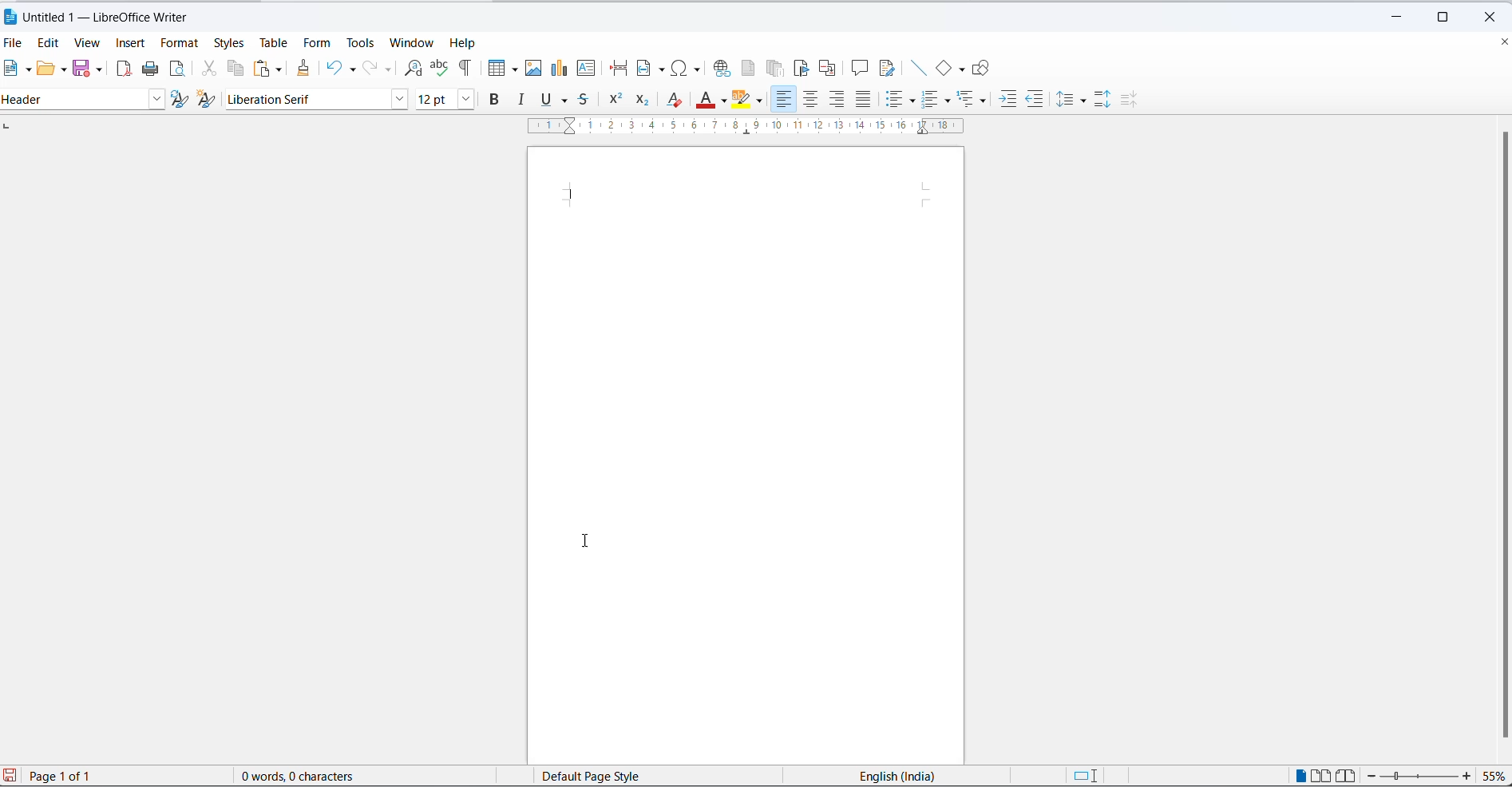  Describe the element at coordinates (228, 43) in the screenshot. I see `styles` at that location.